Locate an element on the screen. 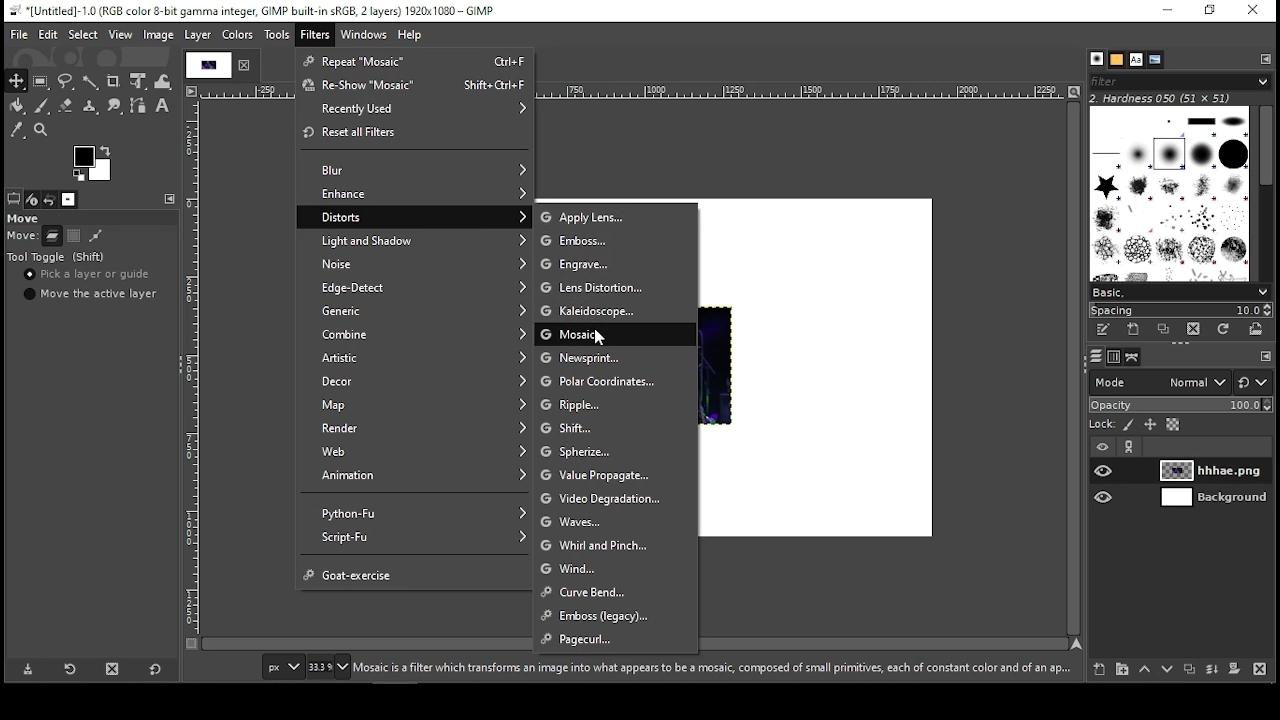 This screenshot has height=720, width=1280. python Fu is located at coordinates (418, 513).